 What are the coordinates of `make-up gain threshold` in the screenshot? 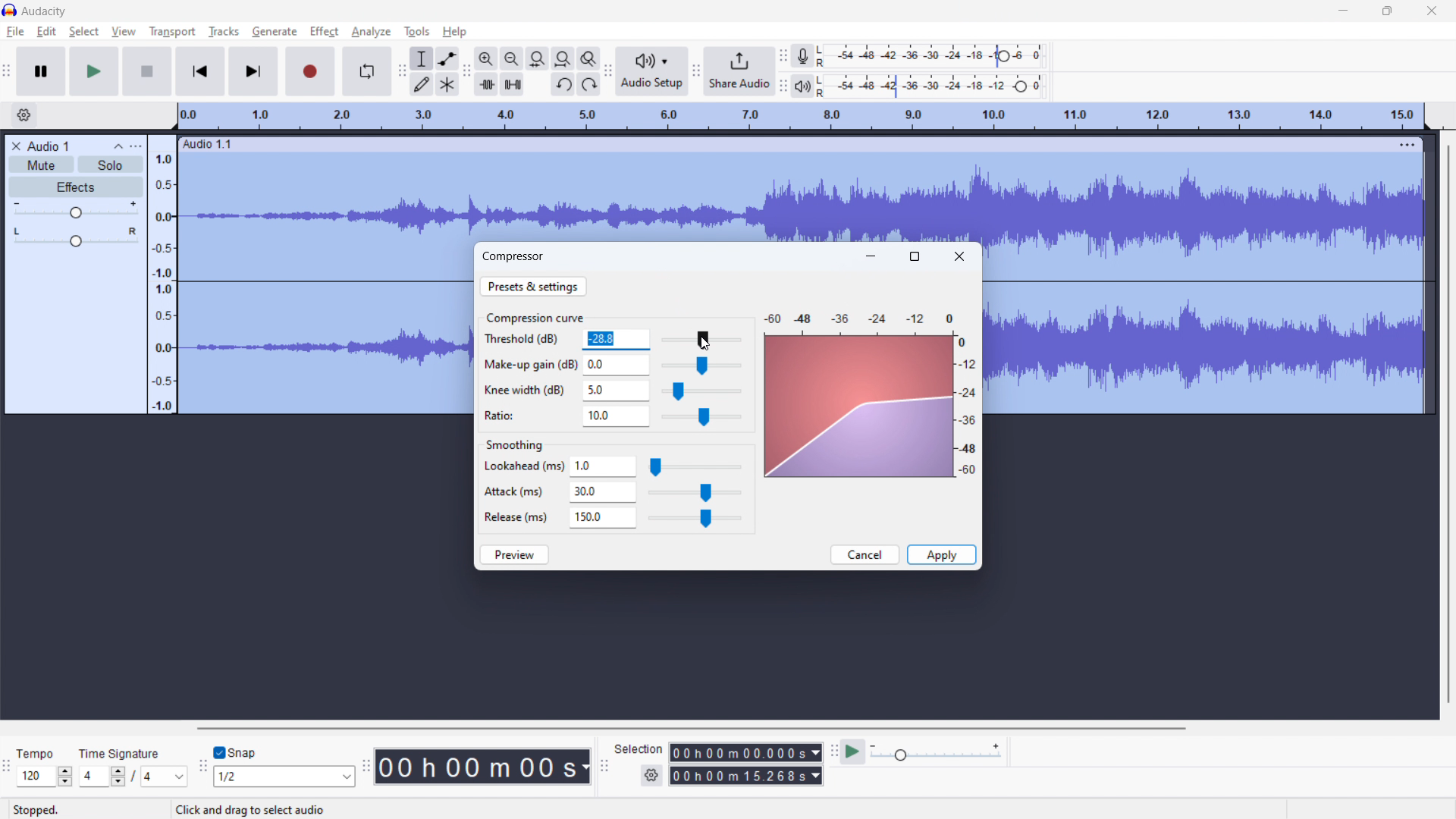 It's located at (701, 366).